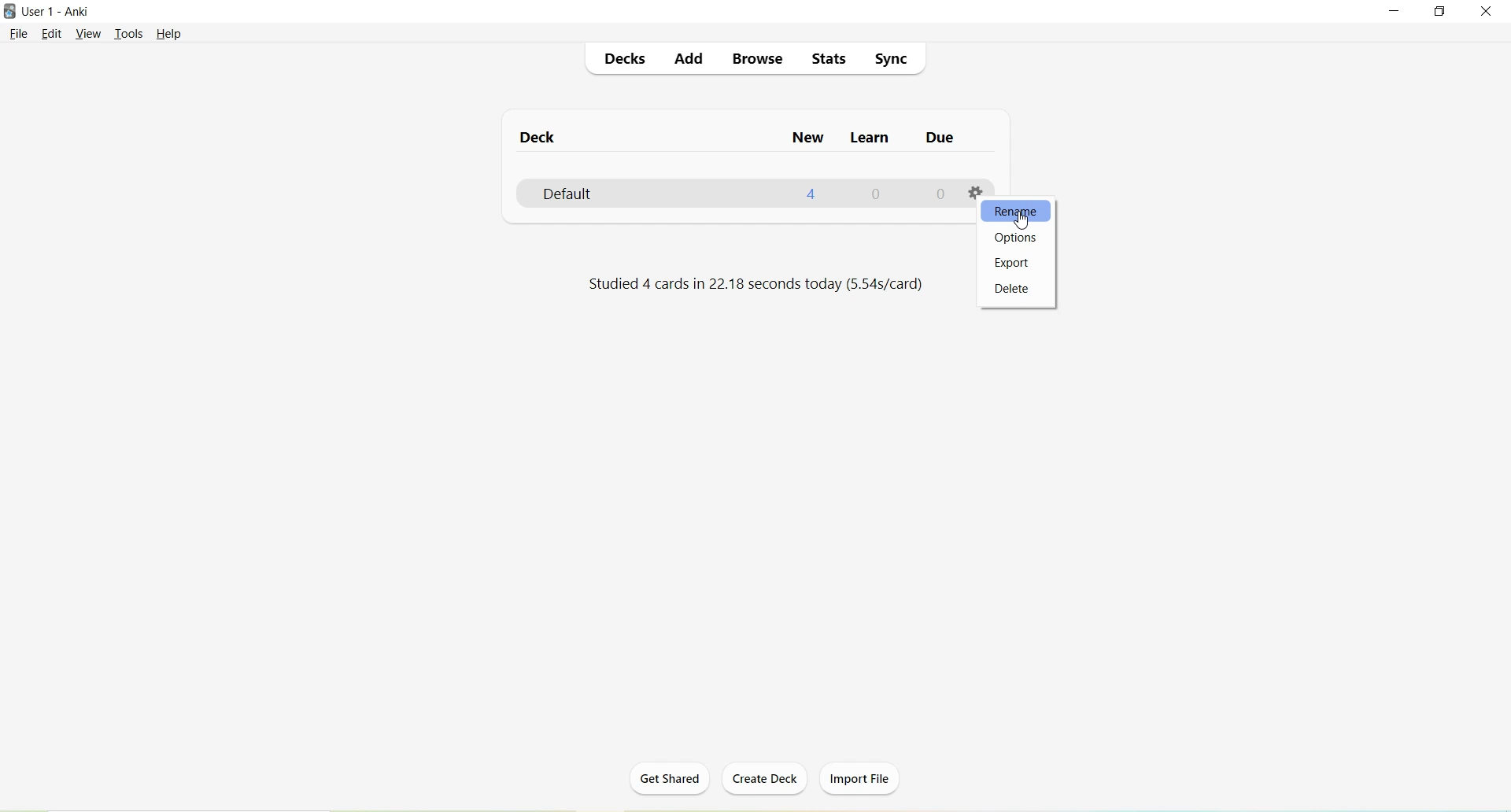  What do you see at coordinates (766, 780) in the screenshot?
I see `Create Deck` at bounding box center [766, 780].